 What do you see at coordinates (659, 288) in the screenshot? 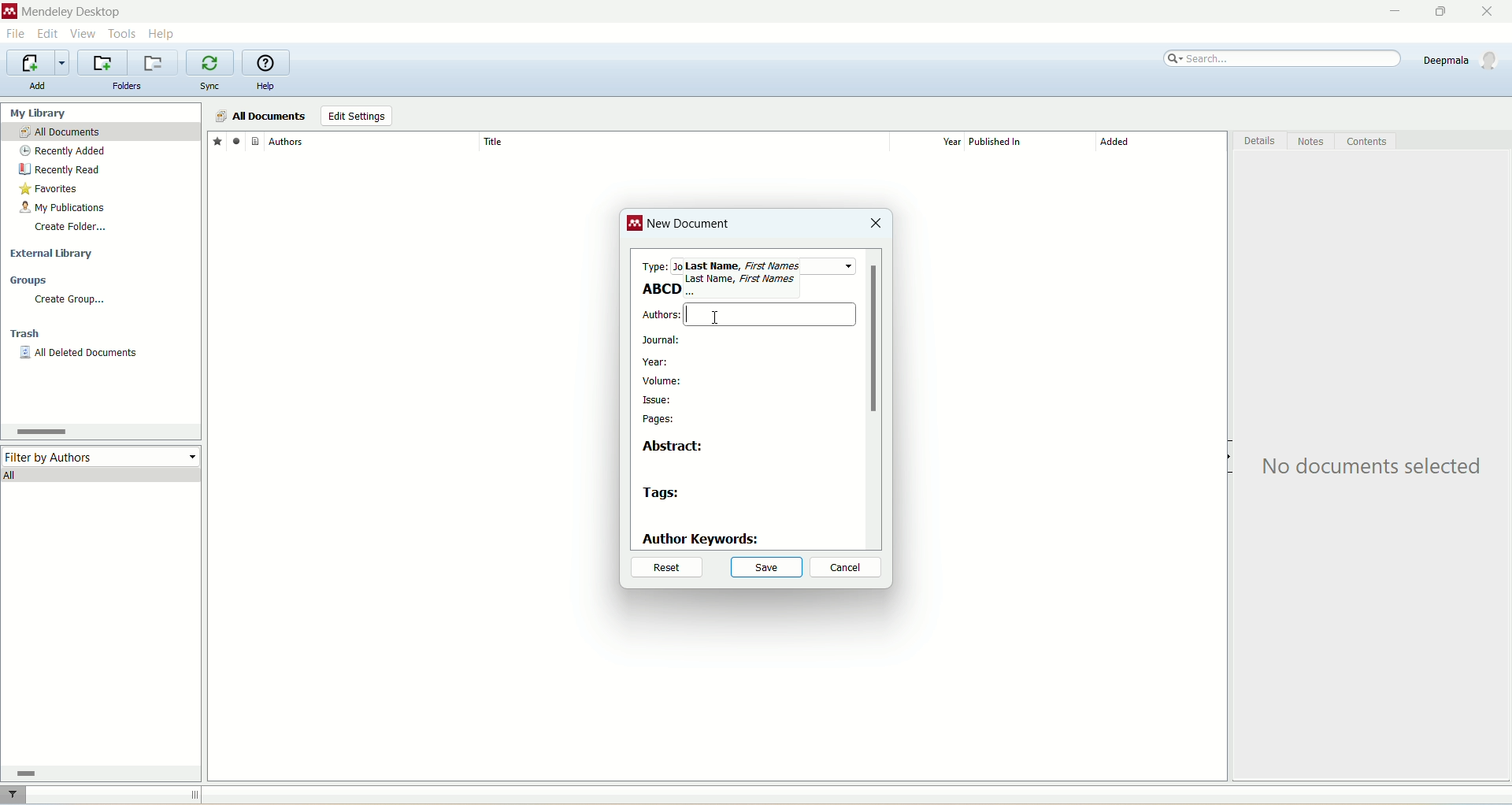
I see `ABCD` at bounding box center [659, 288].